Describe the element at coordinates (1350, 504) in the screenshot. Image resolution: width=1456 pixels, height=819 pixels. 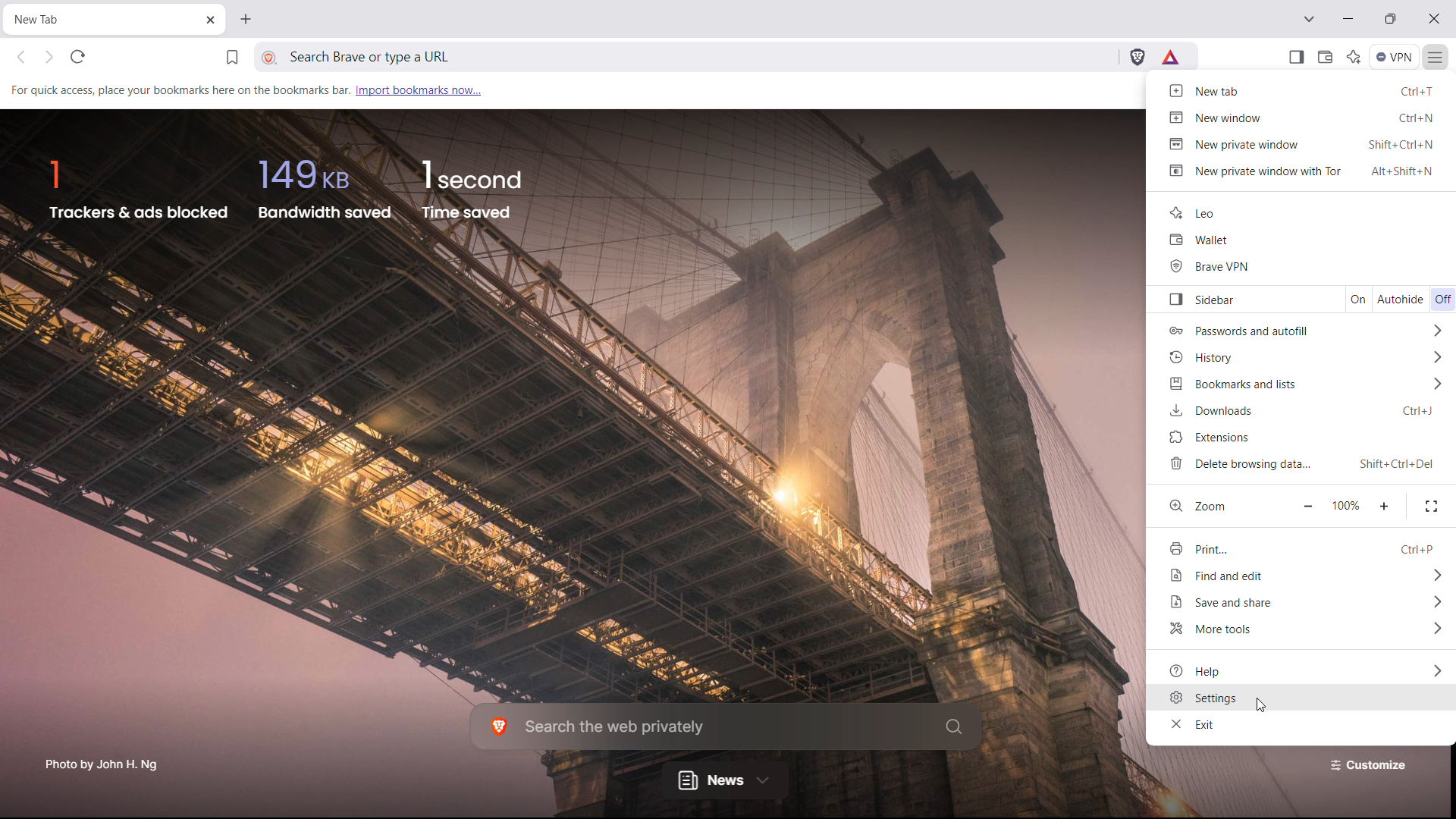
I see `100%` at that location.